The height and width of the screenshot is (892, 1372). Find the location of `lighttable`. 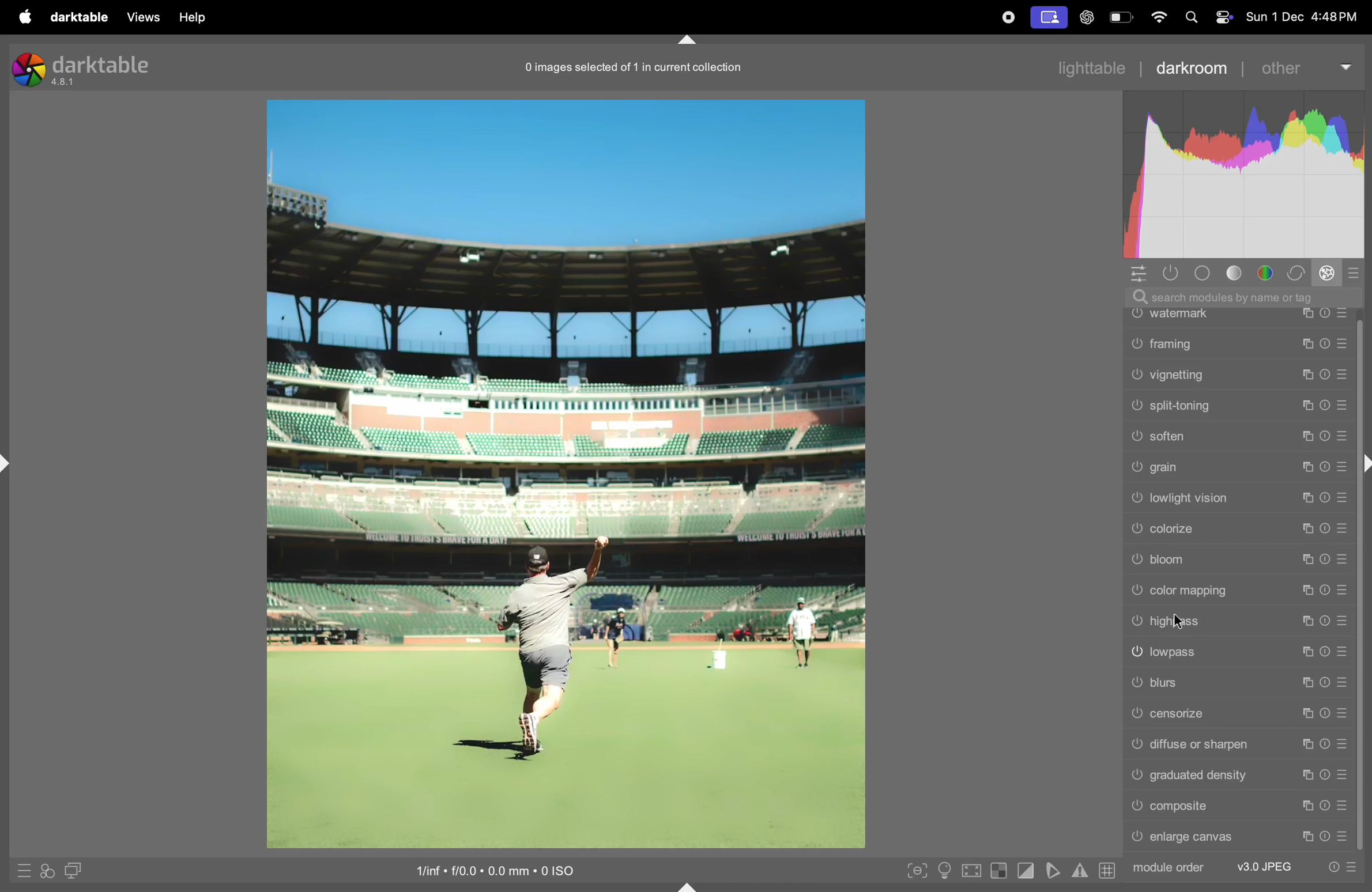

lighttable is located at coordinates (1091, 66).